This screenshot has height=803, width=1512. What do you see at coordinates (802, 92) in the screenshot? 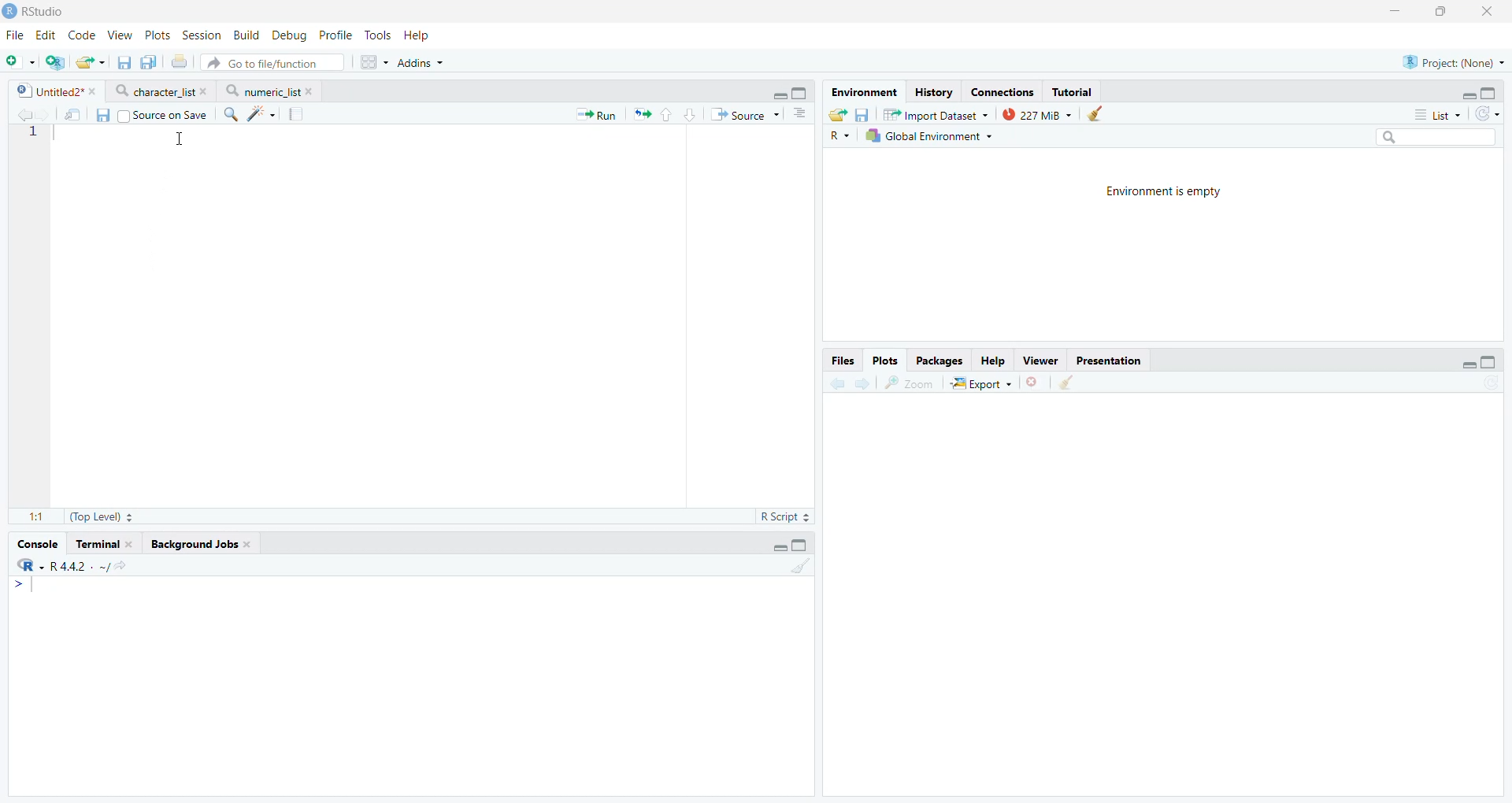
I see `Full Height` at bounding box center [802, 92].